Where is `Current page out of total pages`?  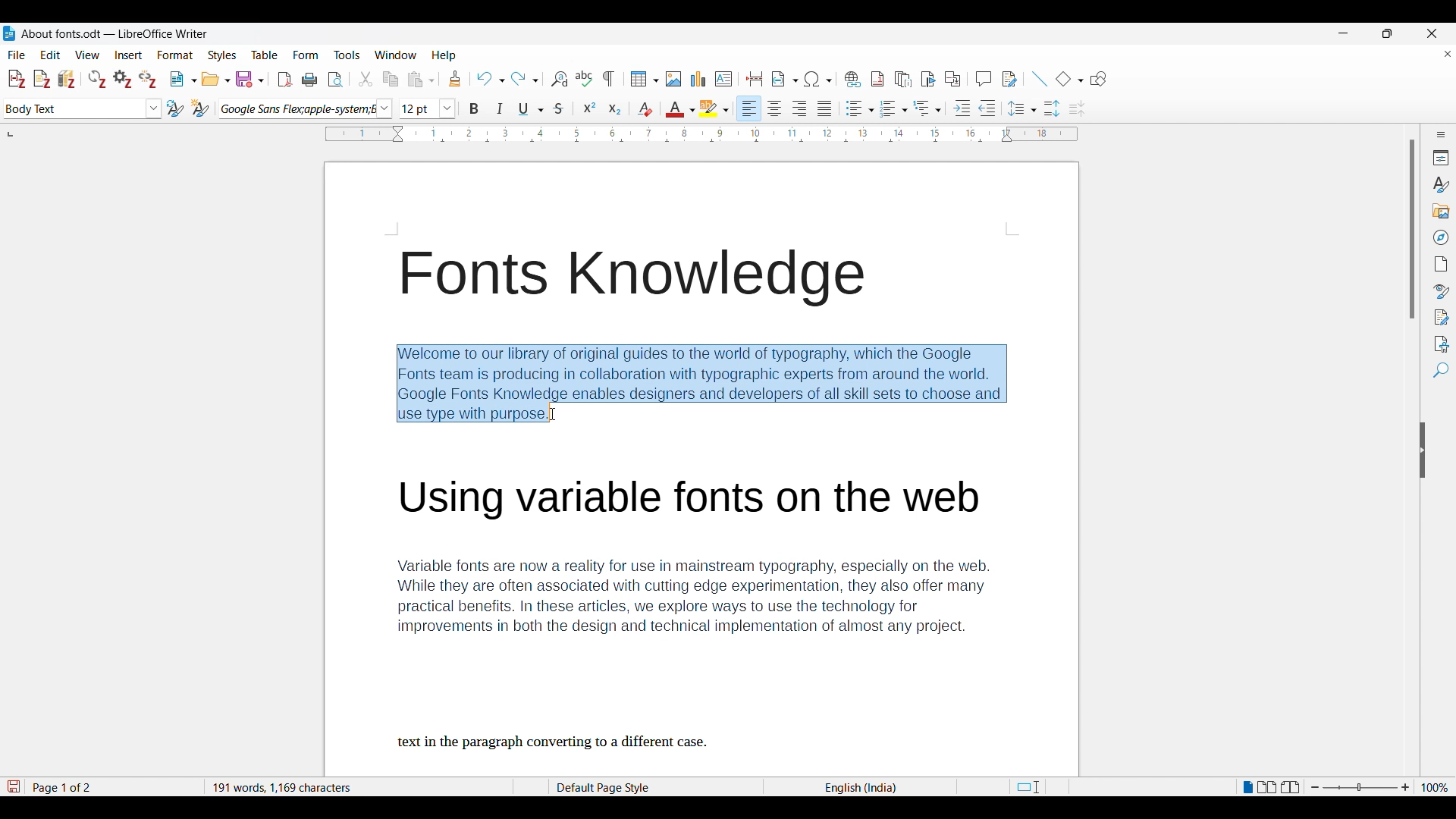
Current page out of total pages is located at coordinates (64, 787).